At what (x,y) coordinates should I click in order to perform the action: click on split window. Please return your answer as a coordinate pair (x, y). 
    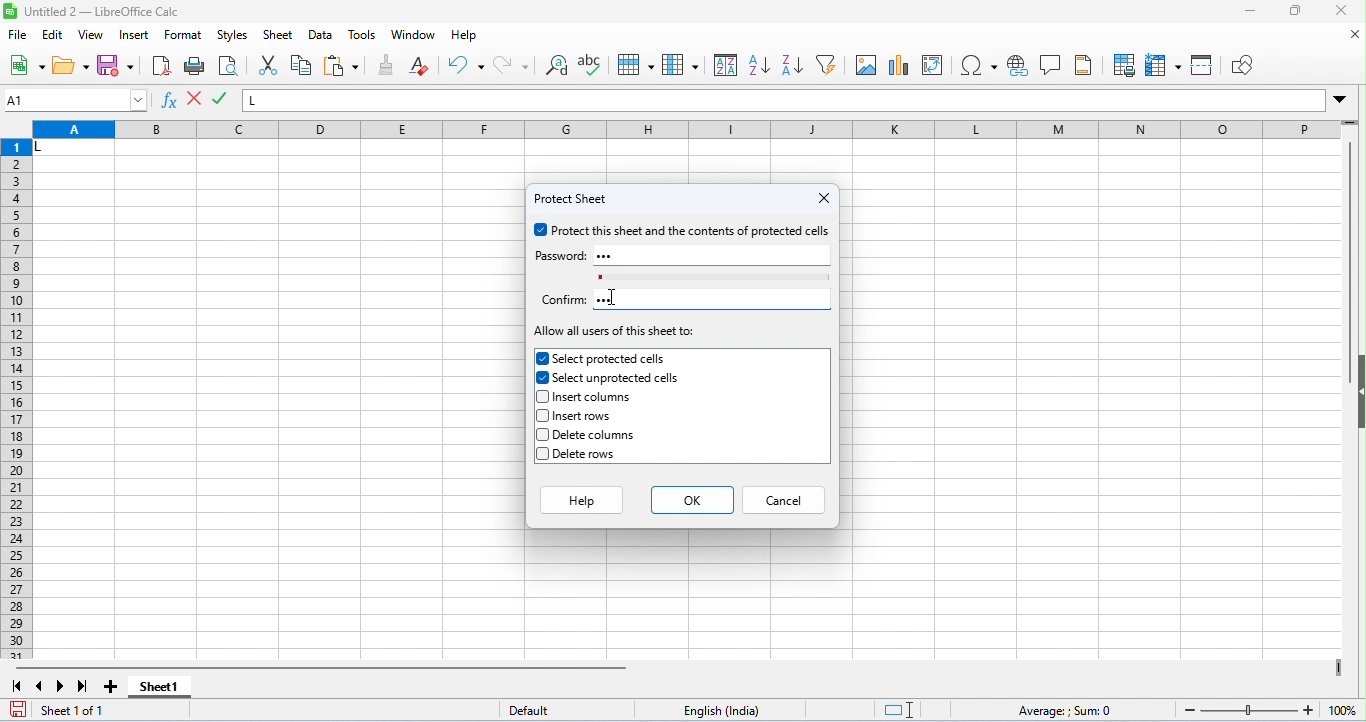
    Looking at the image, I should click on (1204, 64).